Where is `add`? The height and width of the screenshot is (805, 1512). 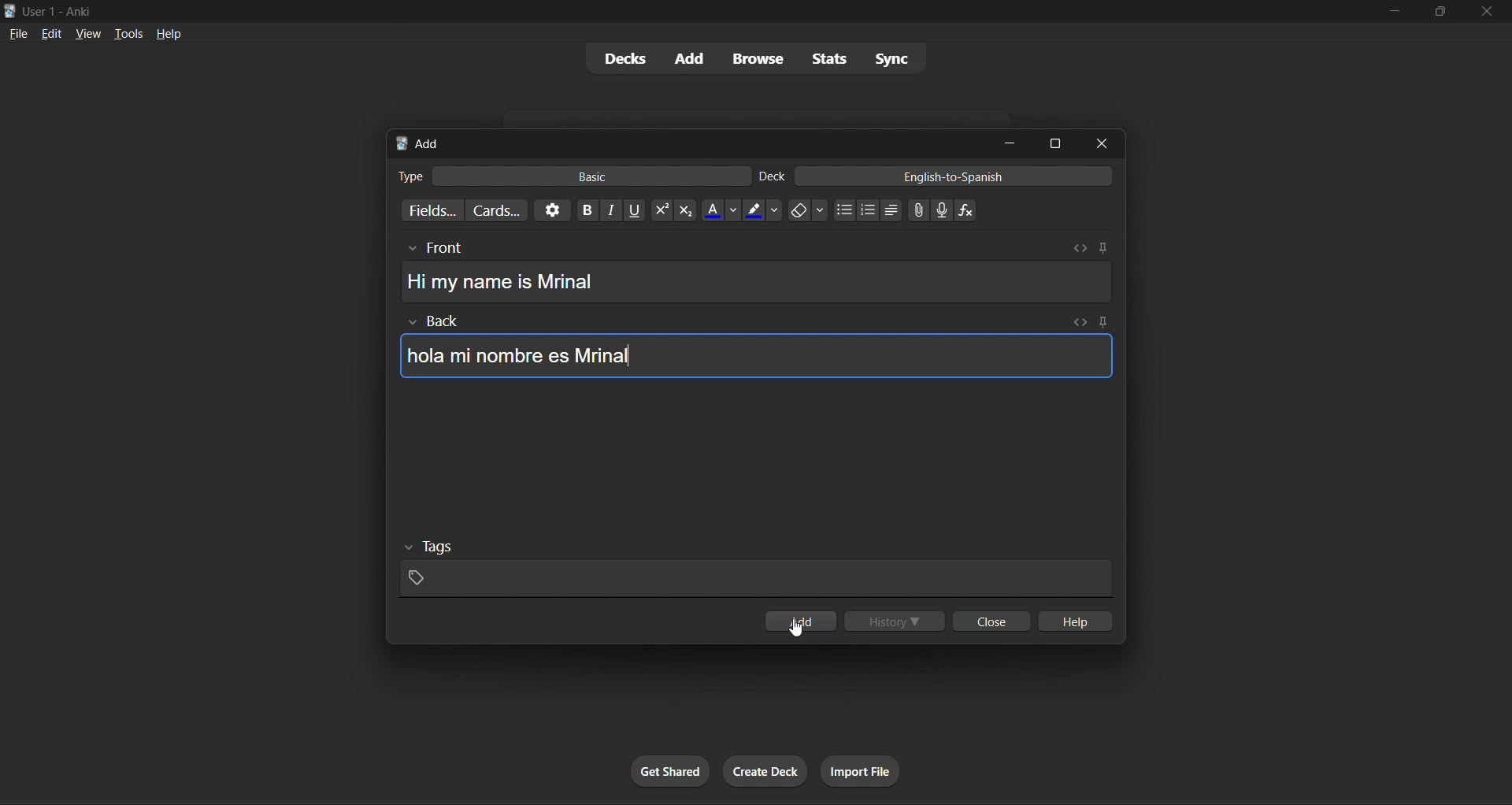
add is located at coordinates (802, 621).